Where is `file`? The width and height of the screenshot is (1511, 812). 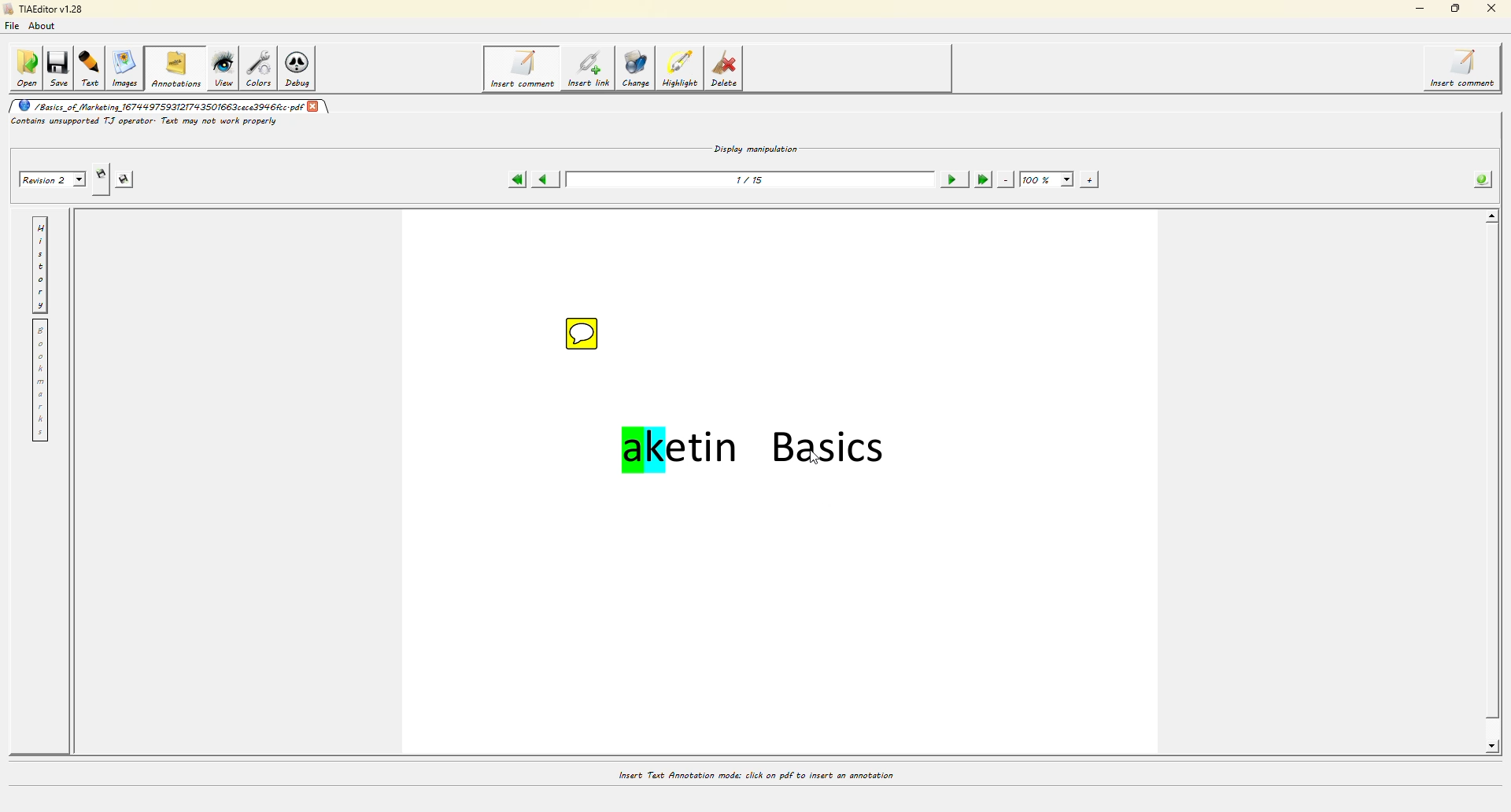
file is located at coordinates (14, 24).